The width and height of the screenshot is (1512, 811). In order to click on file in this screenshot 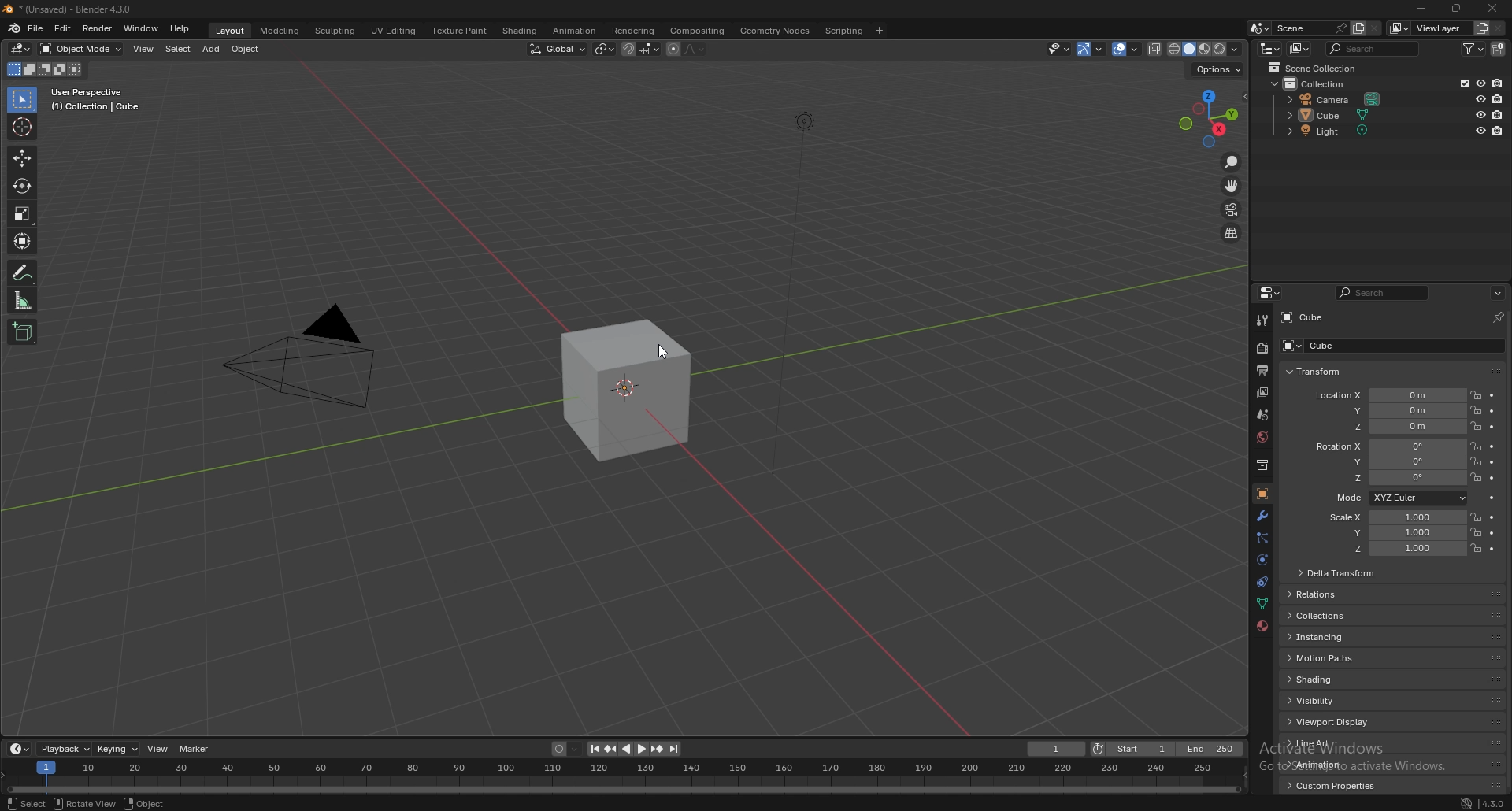, I will do `click(36, 28)`.